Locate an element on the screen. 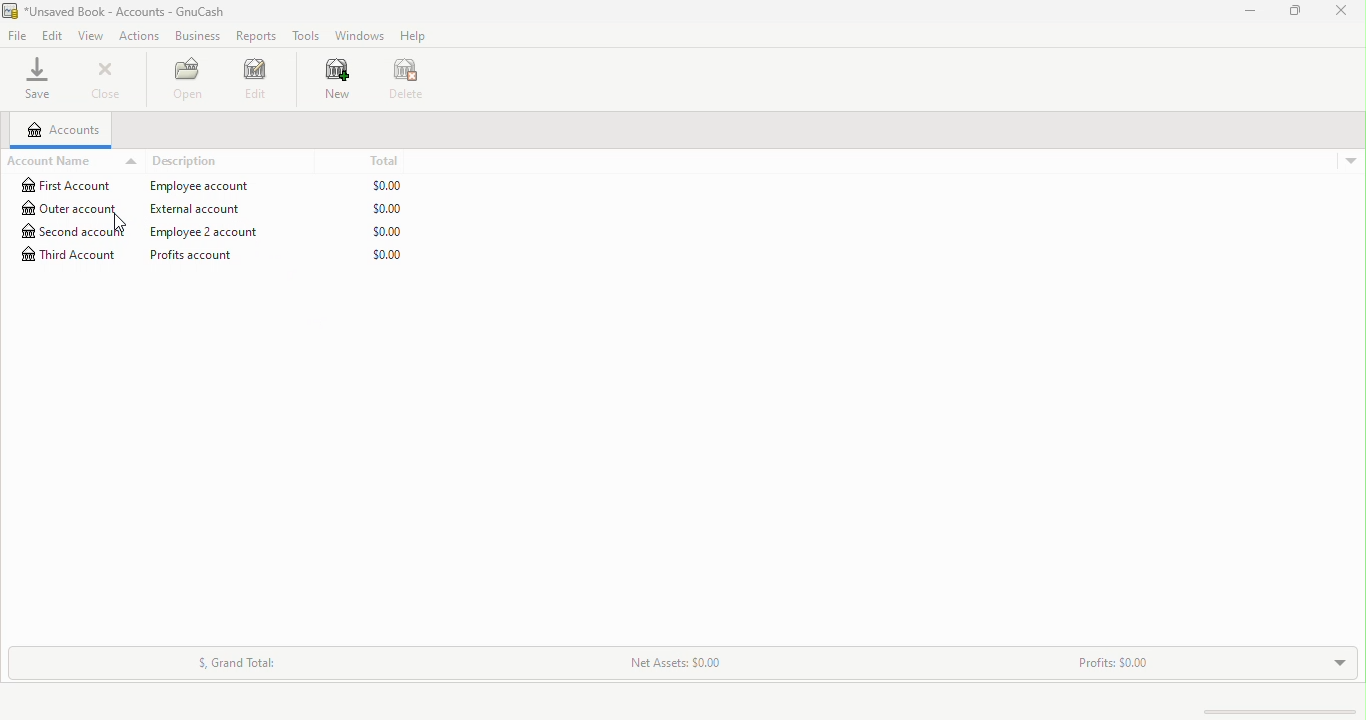  View is located at coordinates (92, 35).